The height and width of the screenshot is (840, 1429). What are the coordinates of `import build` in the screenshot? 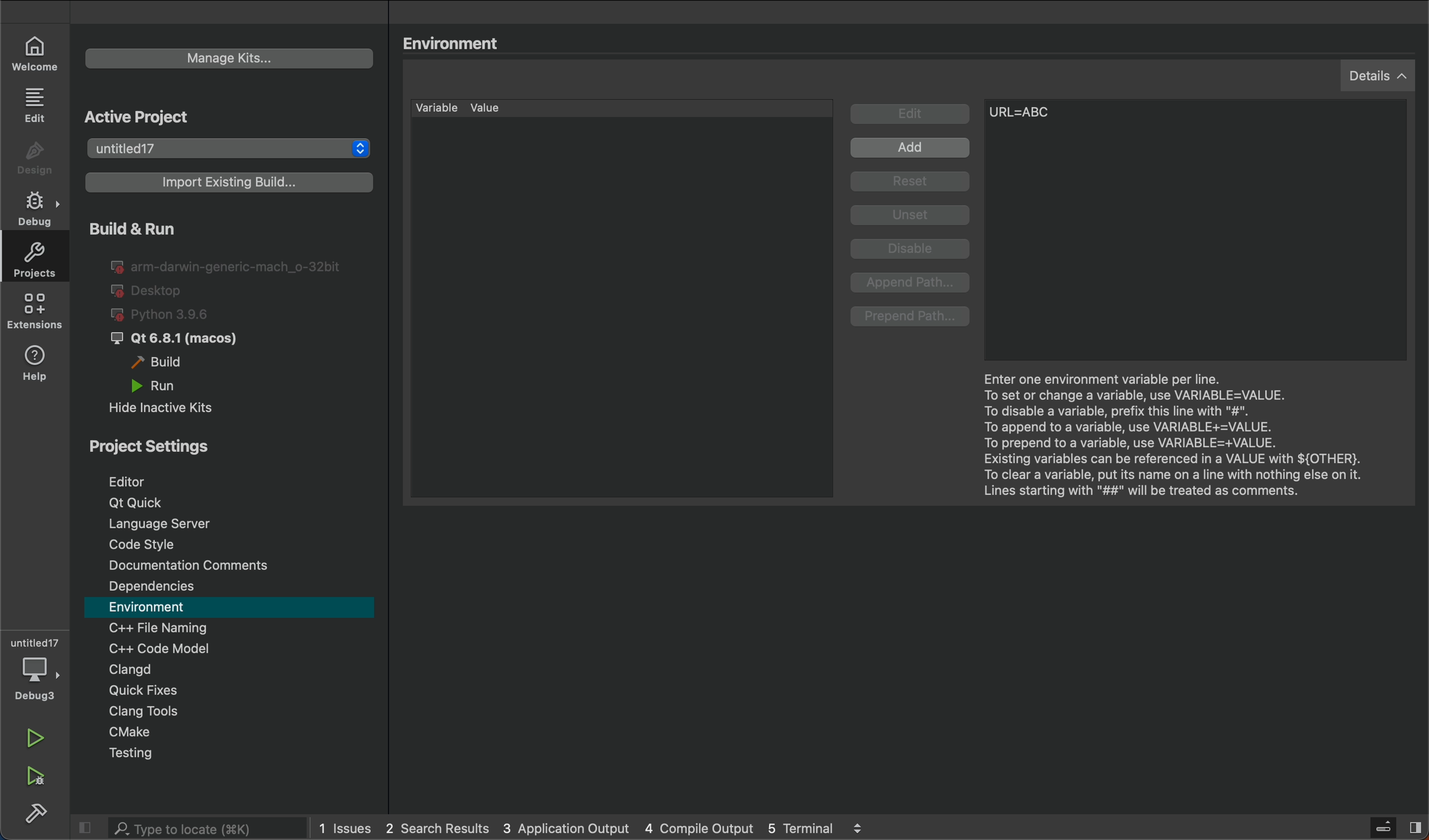 It's located at (226, 187).